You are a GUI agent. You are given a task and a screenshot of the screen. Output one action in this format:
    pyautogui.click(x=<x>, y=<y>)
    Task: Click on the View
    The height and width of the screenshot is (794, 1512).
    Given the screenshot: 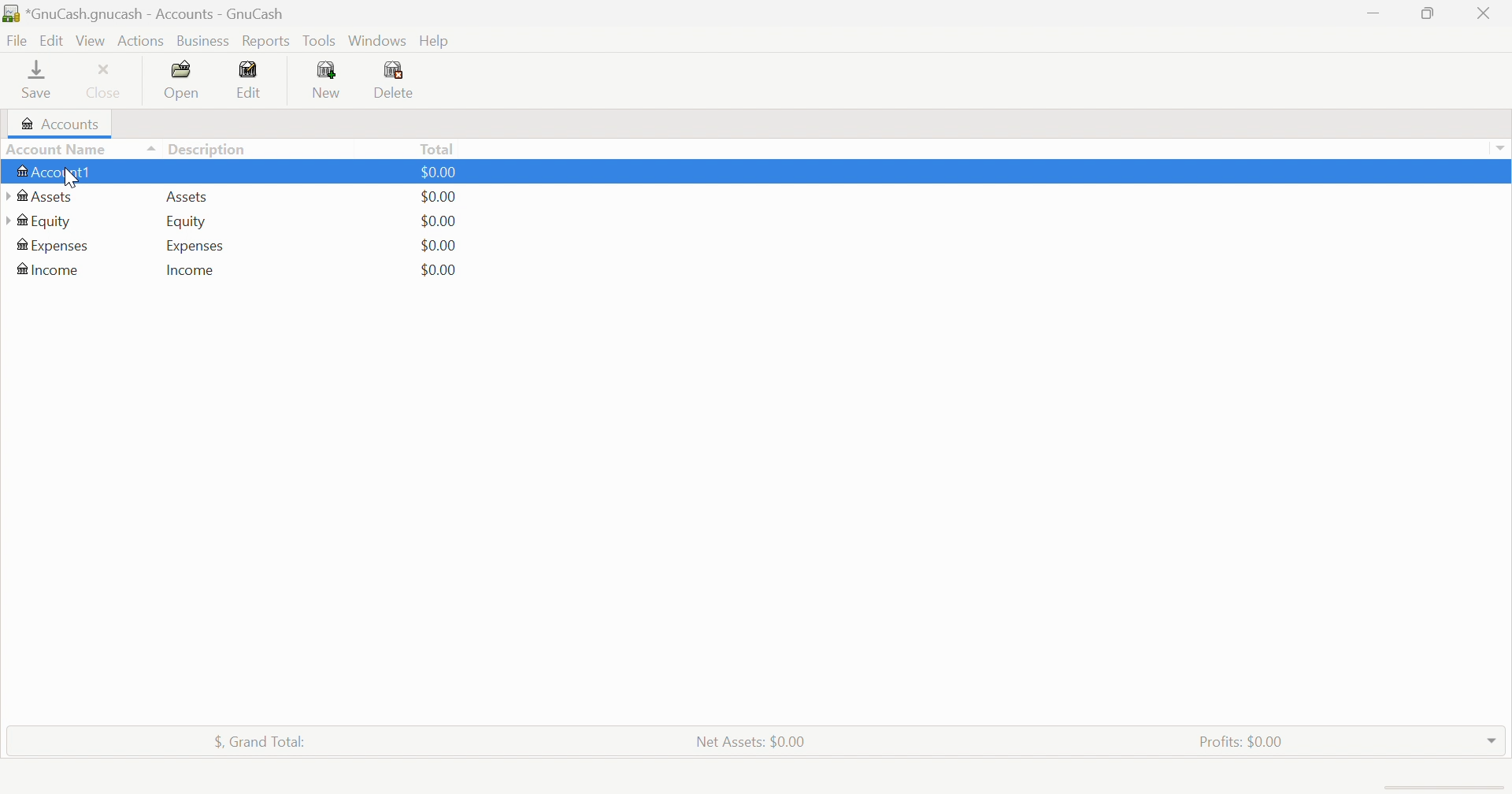 What is the action you would take?
    pyautogui.click(x=91, y=41)
    